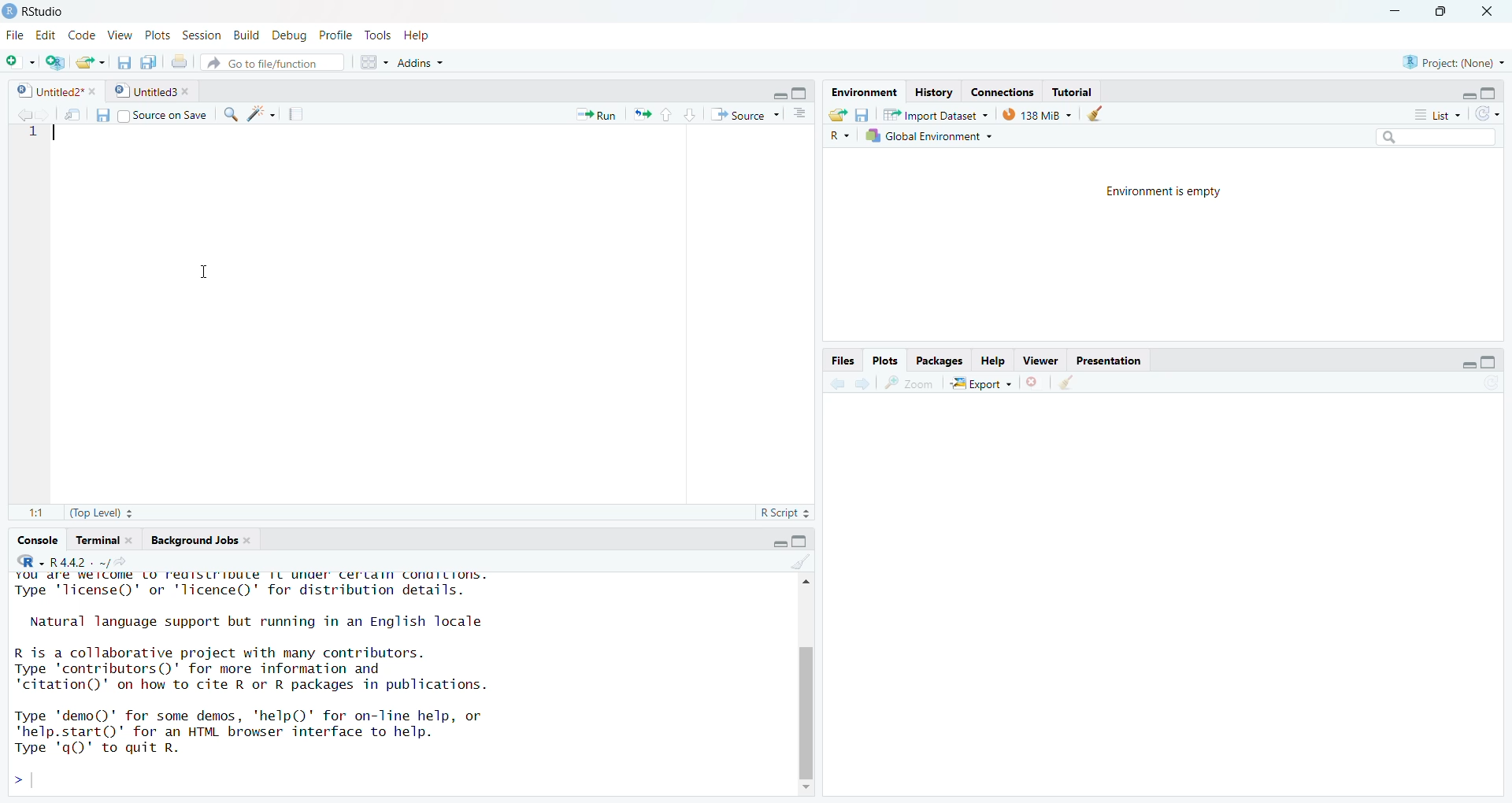 This screenshot has height=803, width=1512. What do you see at coordinates (302, 113) in the screenshot?
I see `compile project` at bounding box center [302, 113].